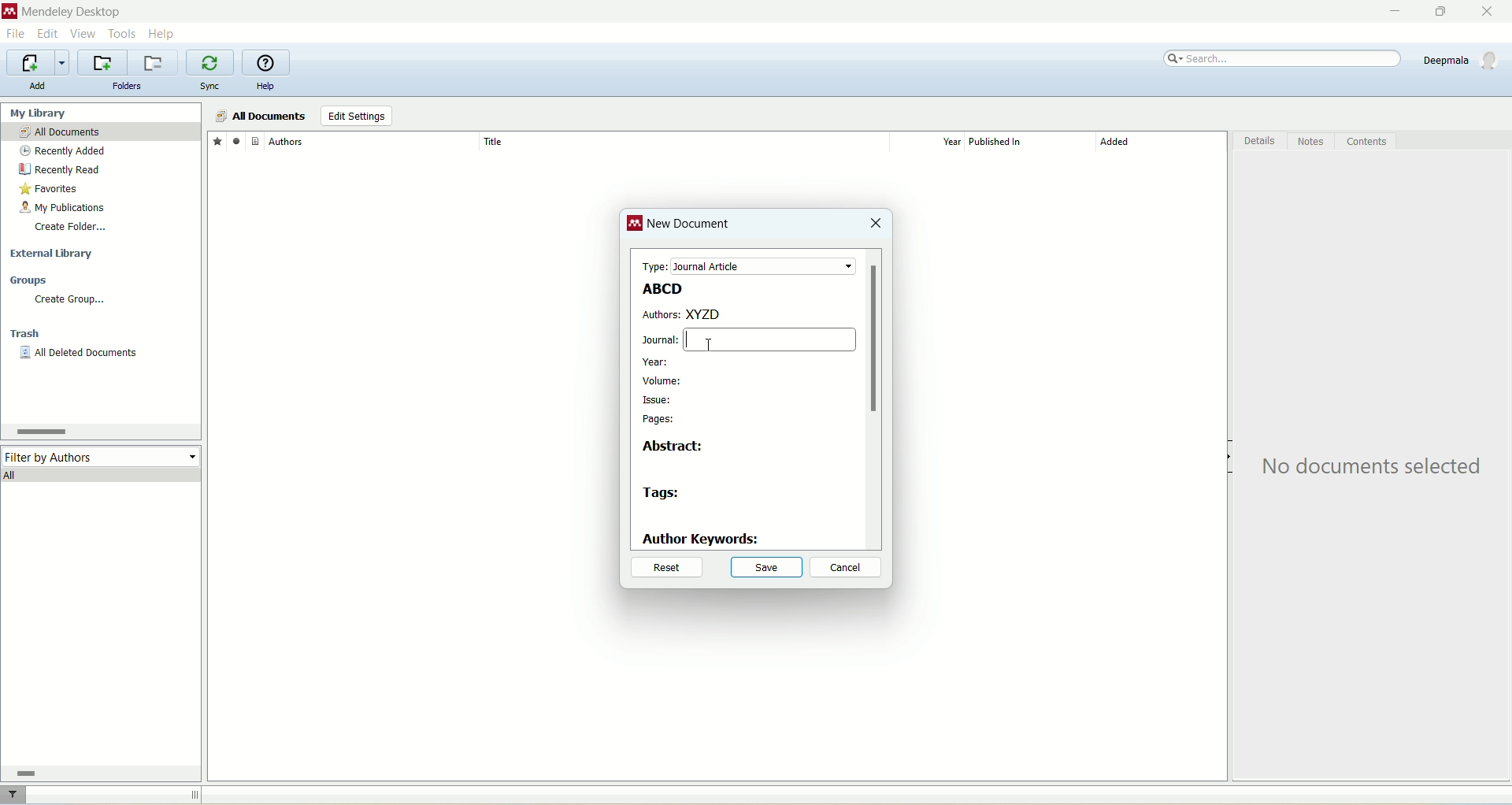  Describe the element at coordinates (128, 87) in the screenshot. I see `folders` at that location.